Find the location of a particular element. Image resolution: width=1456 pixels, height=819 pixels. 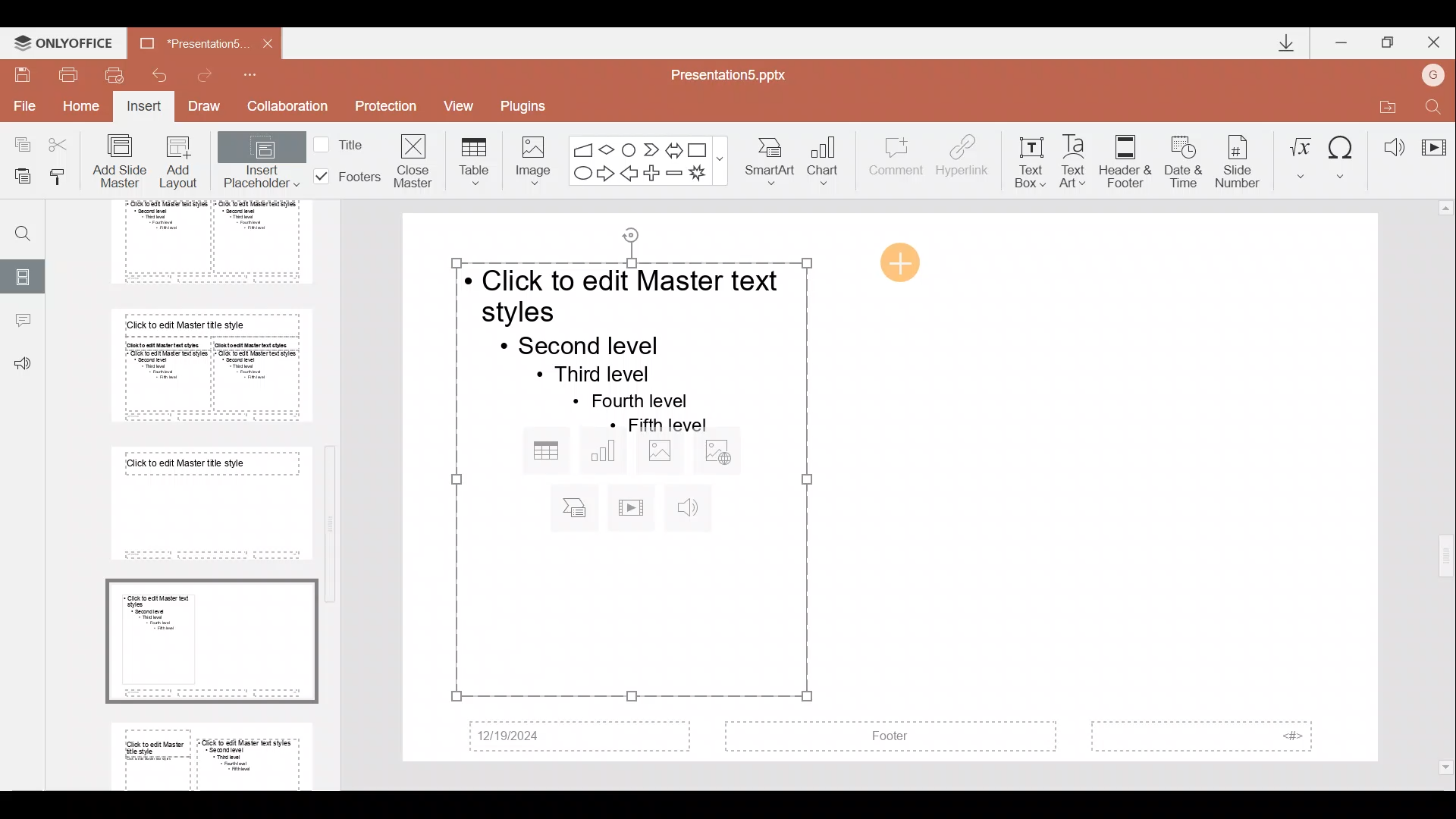

Cursor is located at coordinates (898, 263).